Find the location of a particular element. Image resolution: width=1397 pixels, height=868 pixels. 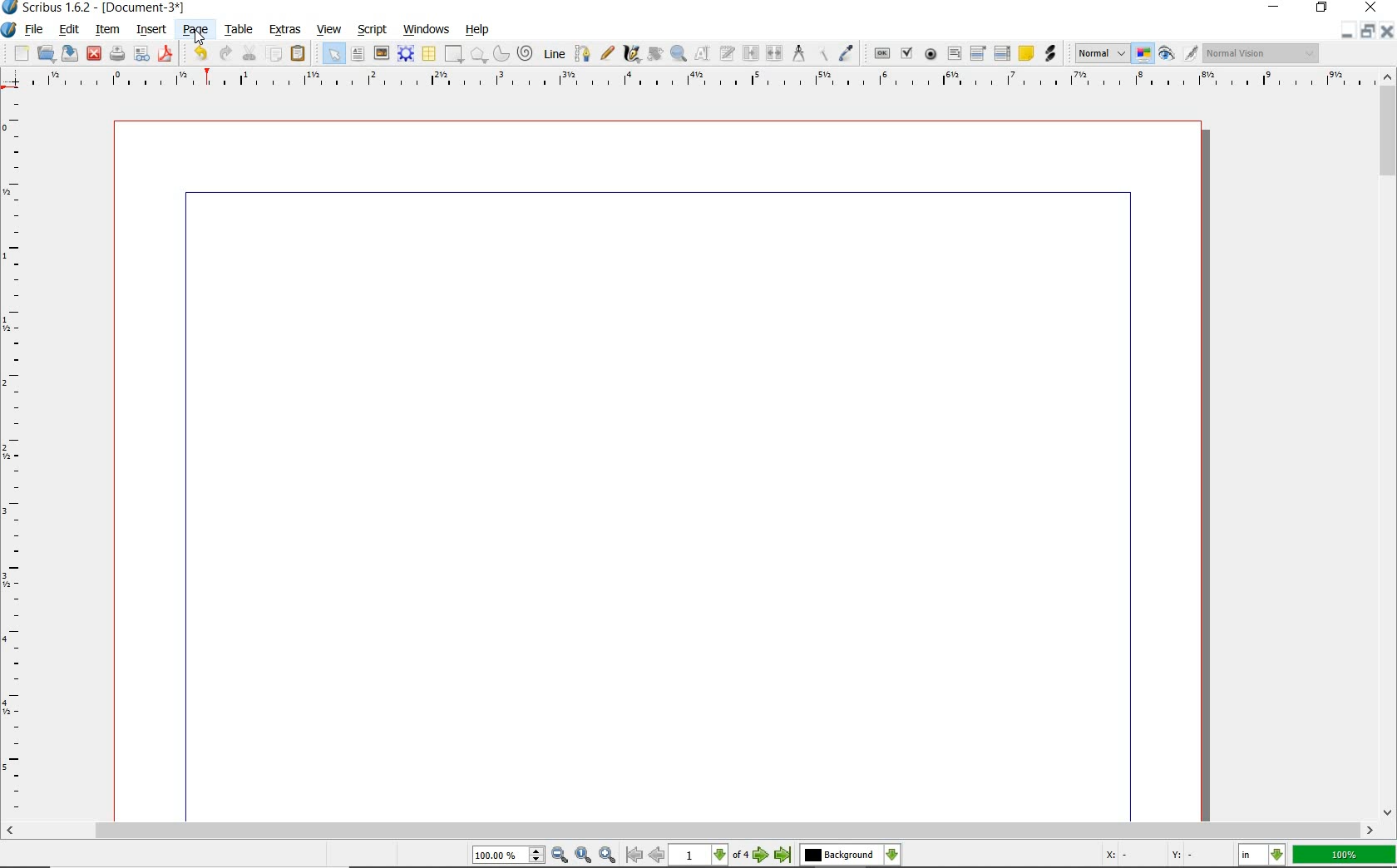

preview mode is located at coordinates (1168, 53).